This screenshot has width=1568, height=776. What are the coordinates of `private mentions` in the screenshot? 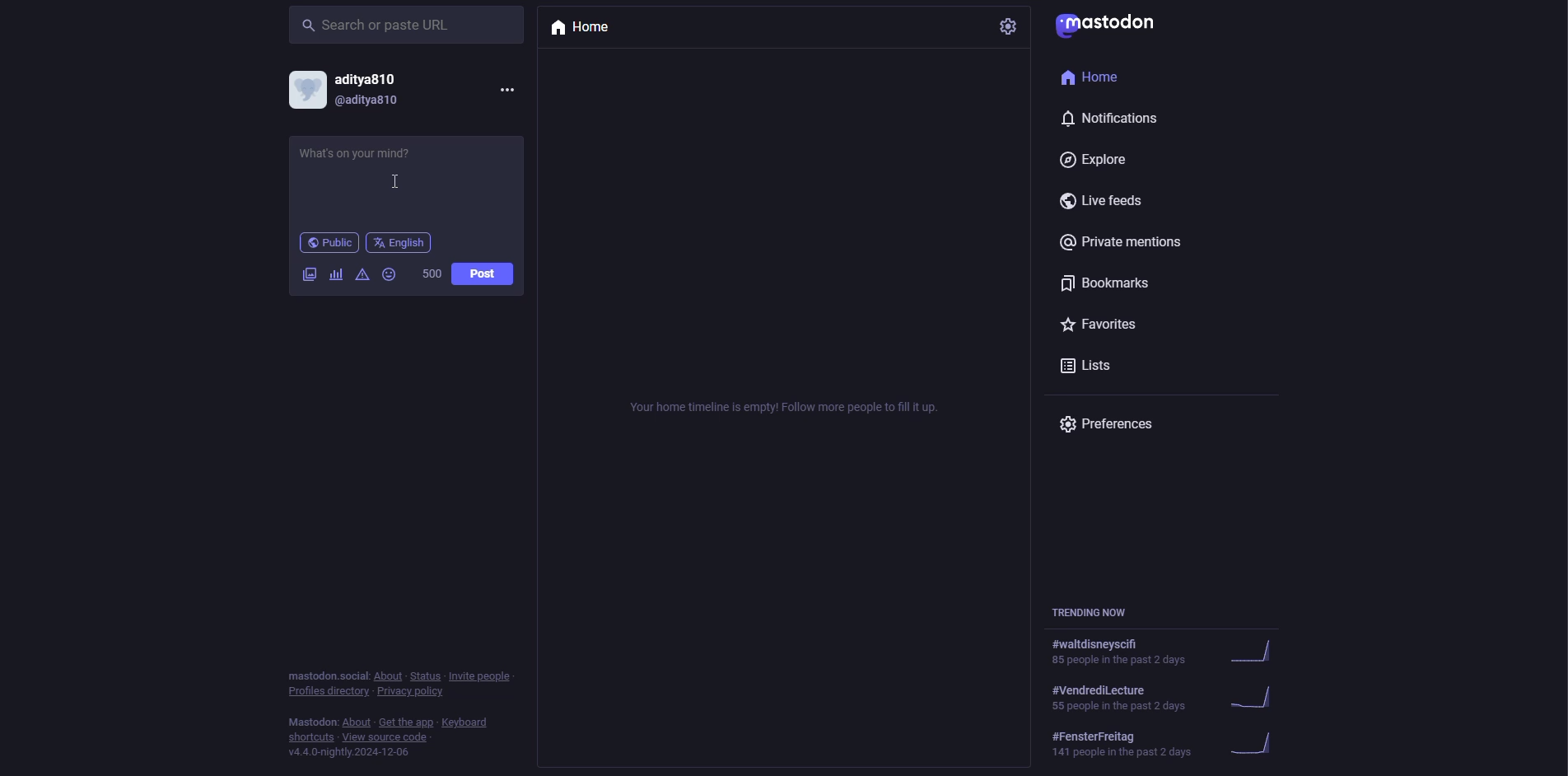 It's located at (1133, 245).